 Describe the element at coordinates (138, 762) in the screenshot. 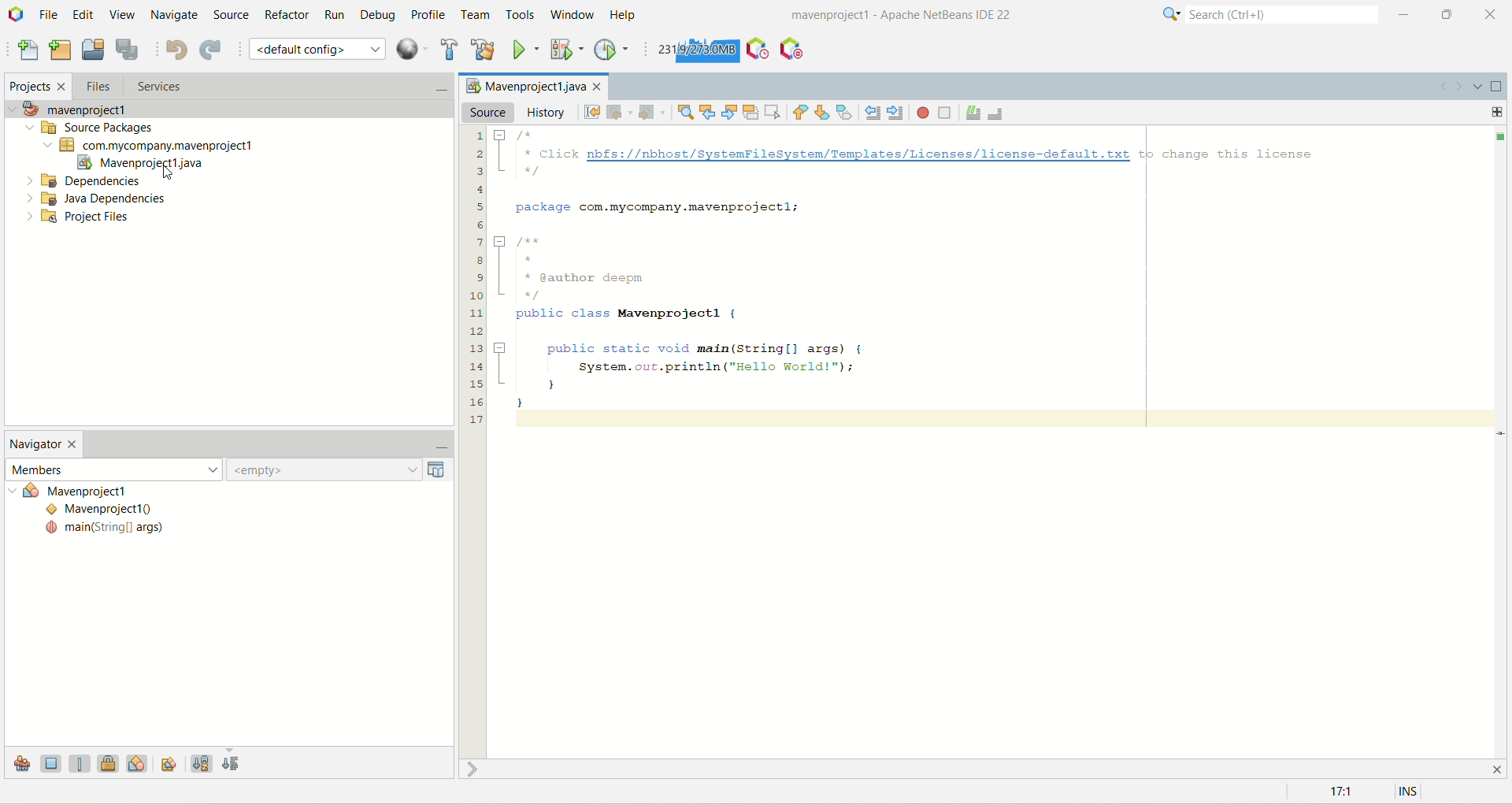

I see `show inner classes` at that location.